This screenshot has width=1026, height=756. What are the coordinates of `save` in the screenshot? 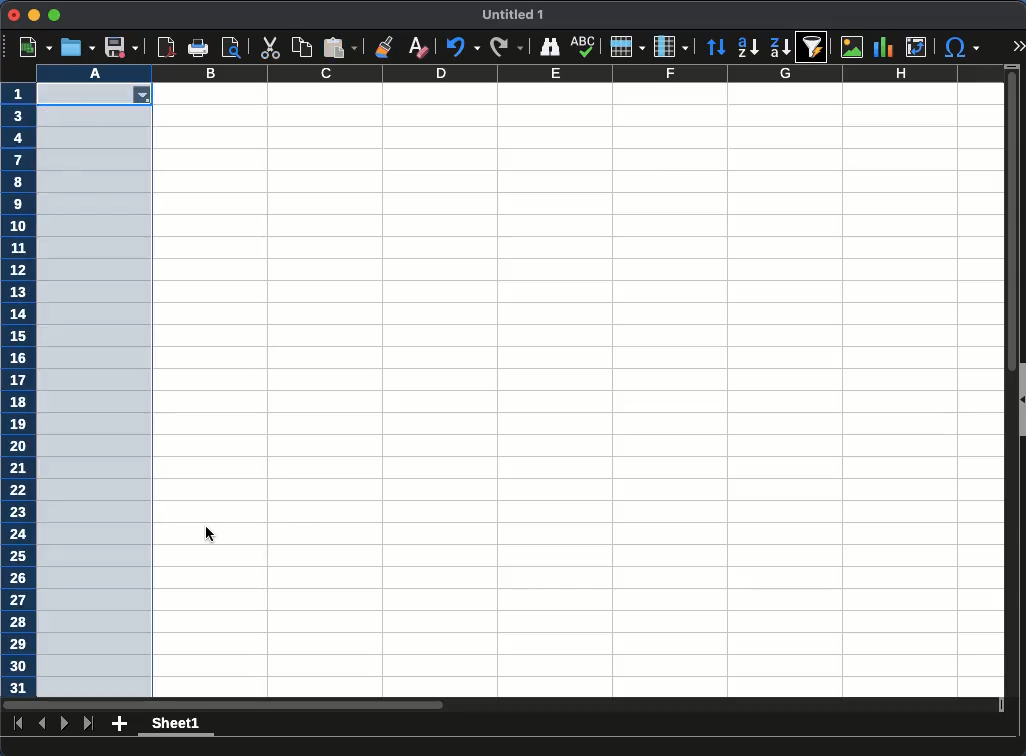 It's located at (120, 47).